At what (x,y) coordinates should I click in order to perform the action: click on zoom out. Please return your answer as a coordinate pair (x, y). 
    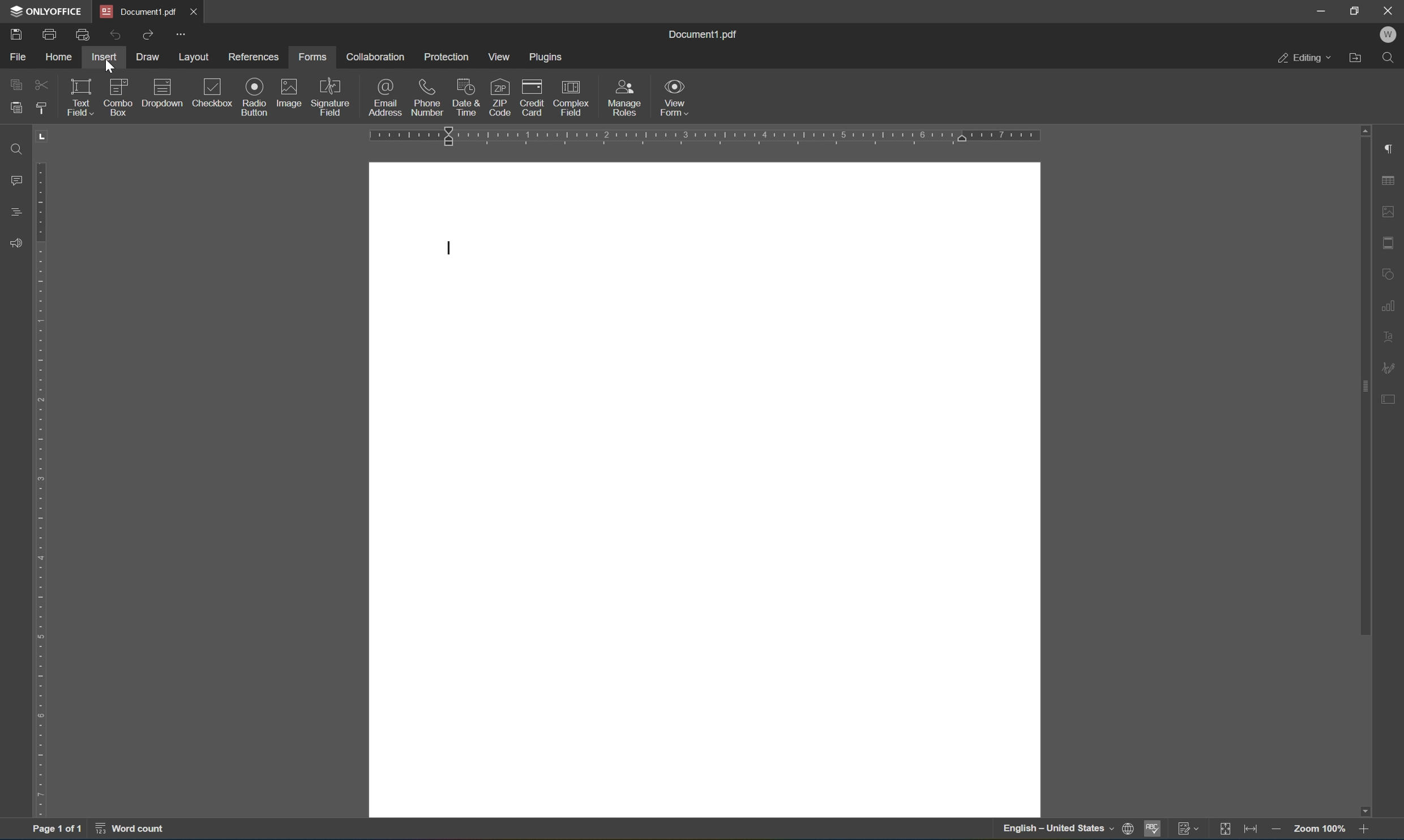
    Looking at the image, I should click on (1275, 829).